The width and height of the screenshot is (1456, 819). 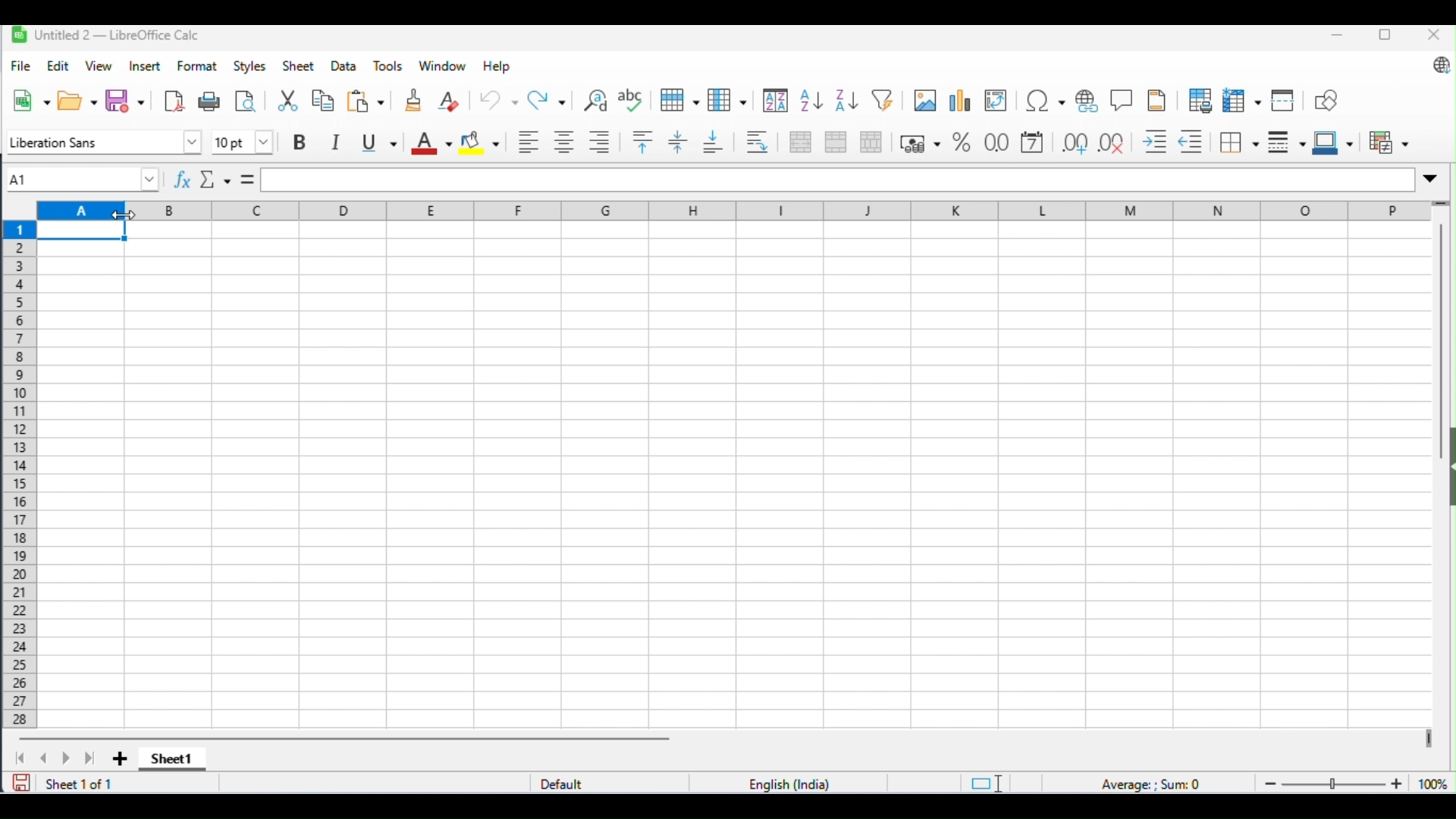 What do you see at coordinates (1034, 143) in the screenshot?
I see `format as date` at bounding box center [1034, 143].